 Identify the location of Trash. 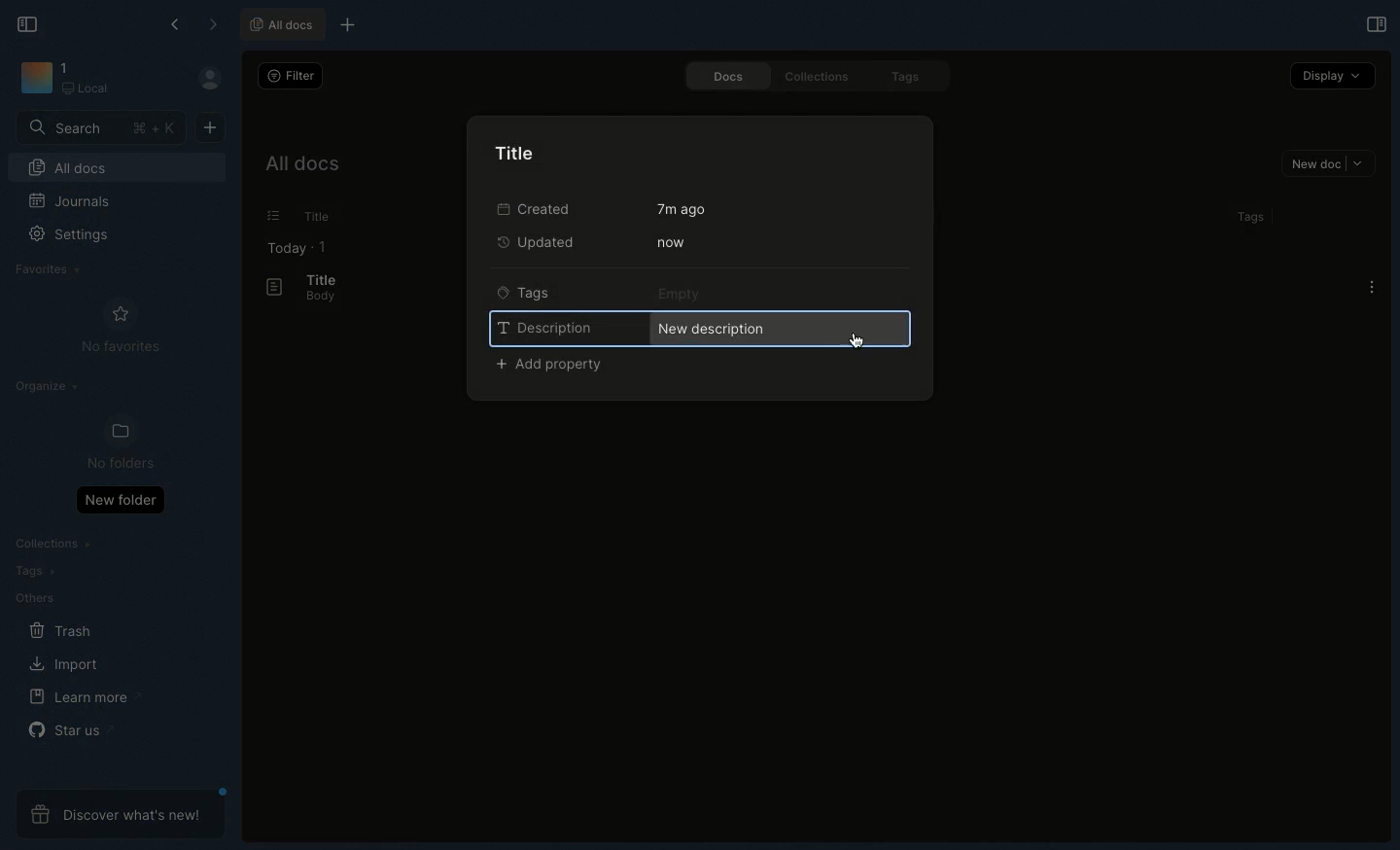
(61, 631).